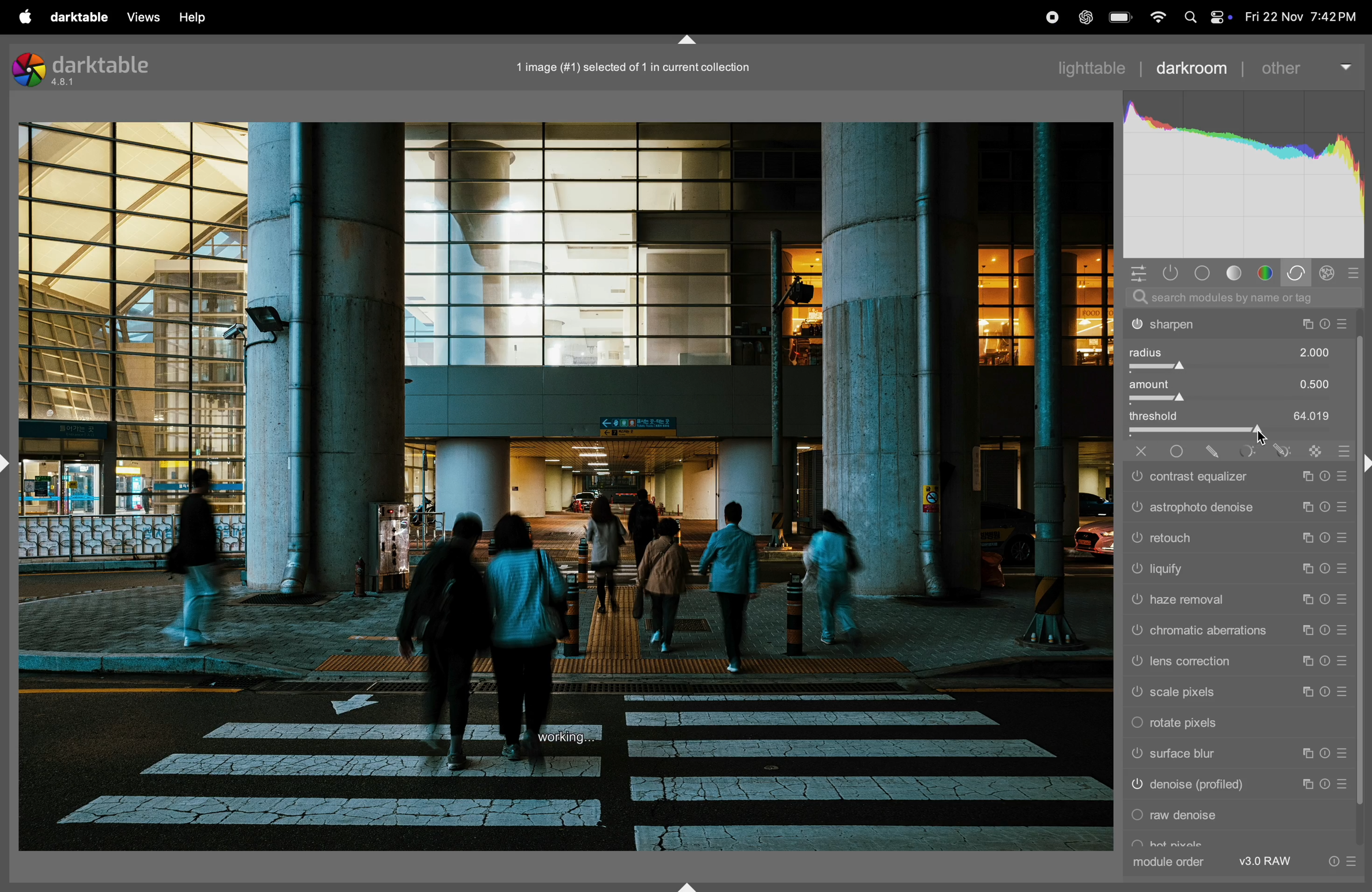 This screenshot has height=892, width=1372. Describe the element at coordinates (1279, 450) in the screenshot. I see `draw a parametric mask` at that location.